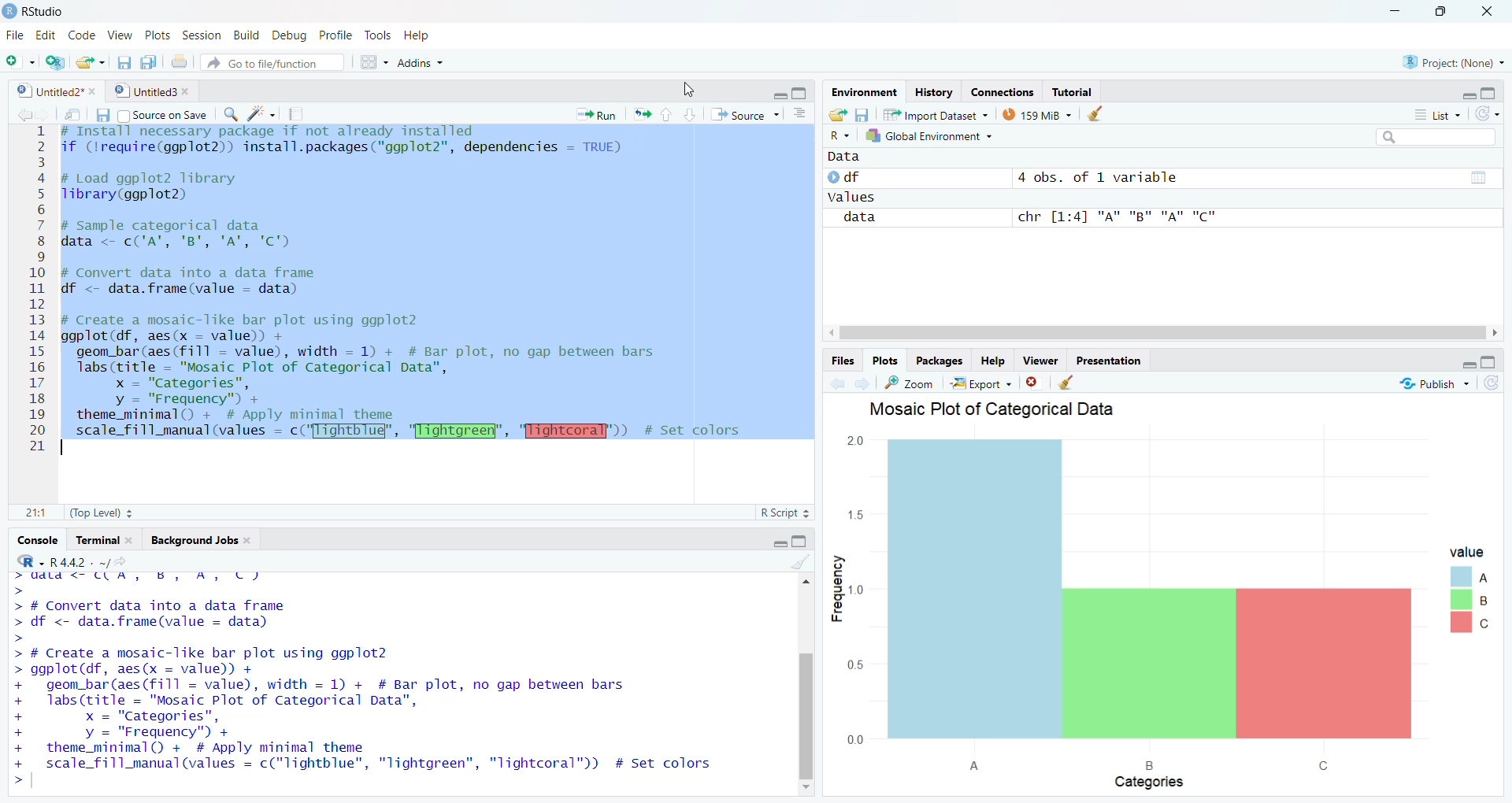 The image size is (1512, 803). What do you see at coordinates (1434, 136) in the screenshot?
I see `Search` at bounding box center [1434, 136].